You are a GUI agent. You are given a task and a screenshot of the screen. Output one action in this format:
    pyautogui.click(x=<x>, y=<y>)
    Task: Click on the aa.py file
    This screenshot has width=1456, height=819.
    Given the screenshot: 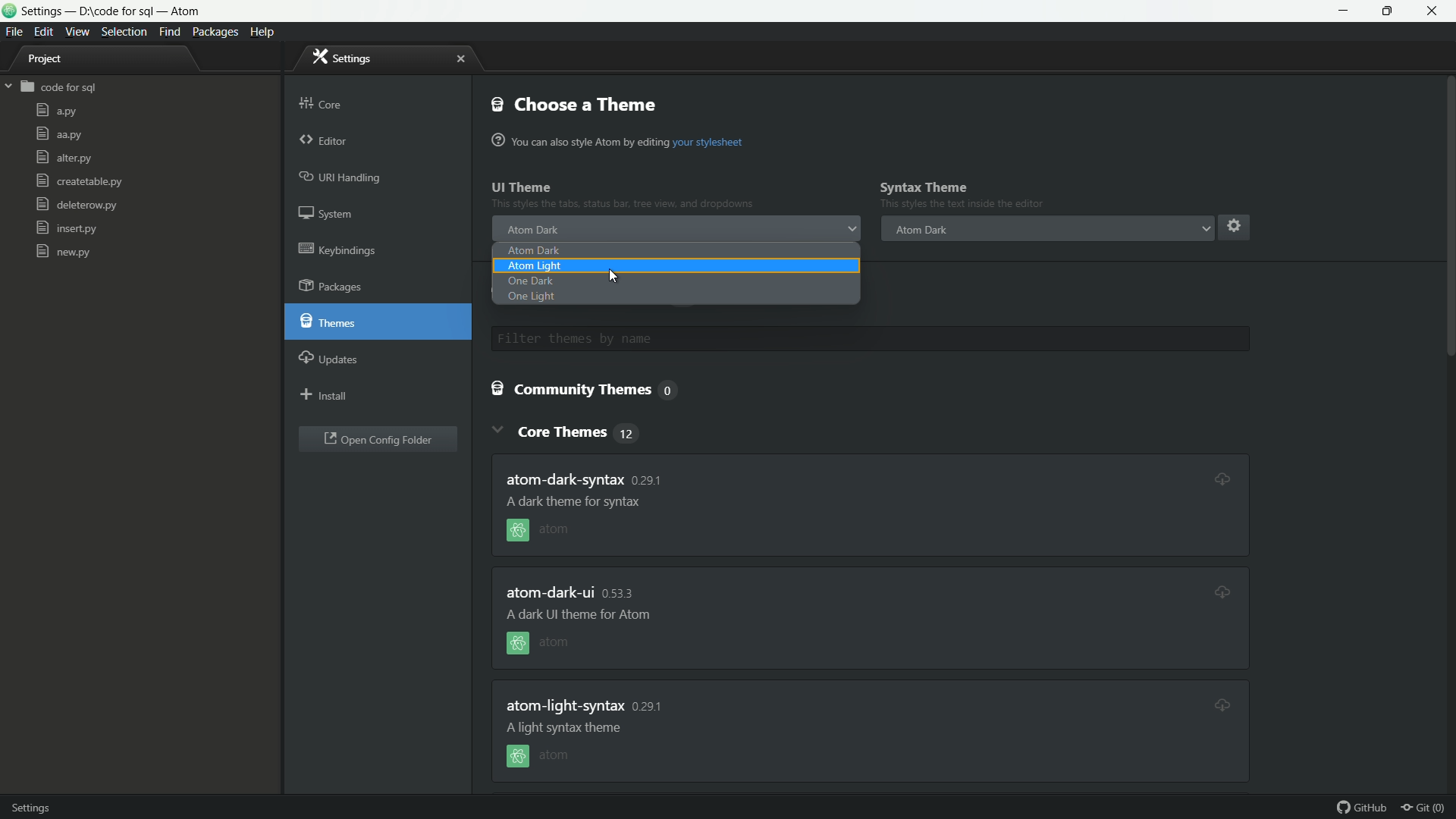 What is the action you would take?
    pyautogui.click(x=58, y=134)
    